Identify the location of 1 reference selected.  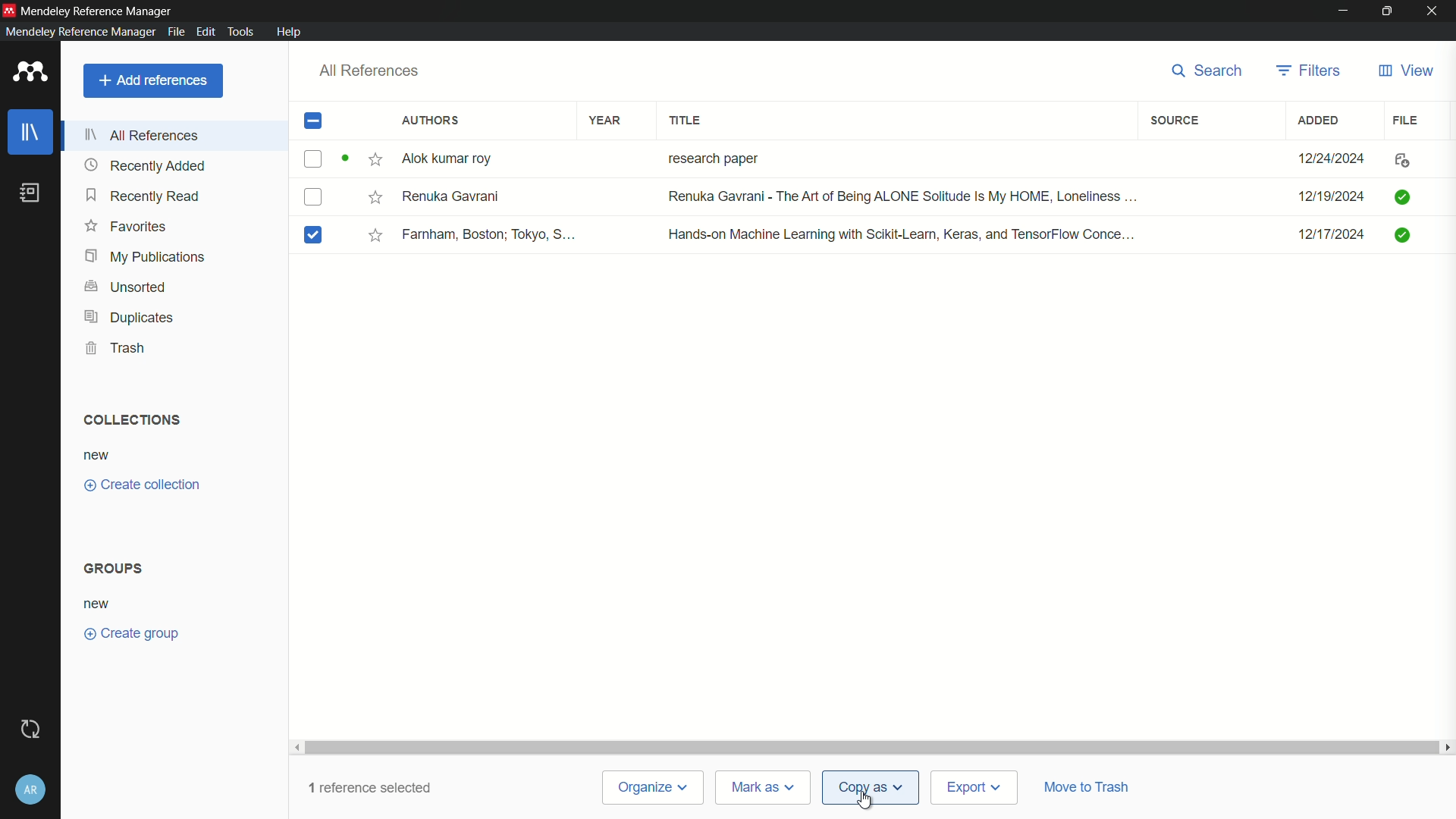
(370, 789).